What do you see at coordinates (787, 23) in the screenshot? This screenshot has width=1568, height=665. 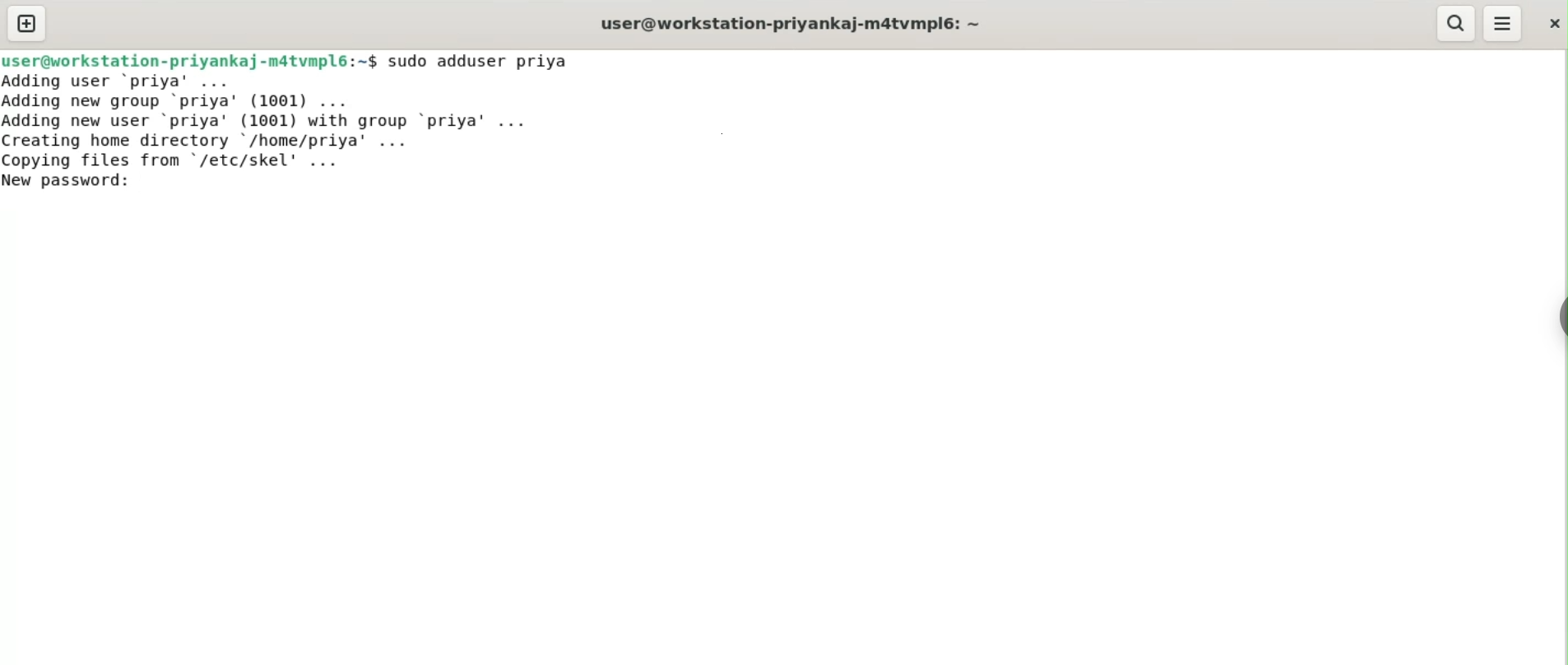 I see `user@workstation-priyankaj-m4tvmpl6:~` at bounding box center [787, 23].